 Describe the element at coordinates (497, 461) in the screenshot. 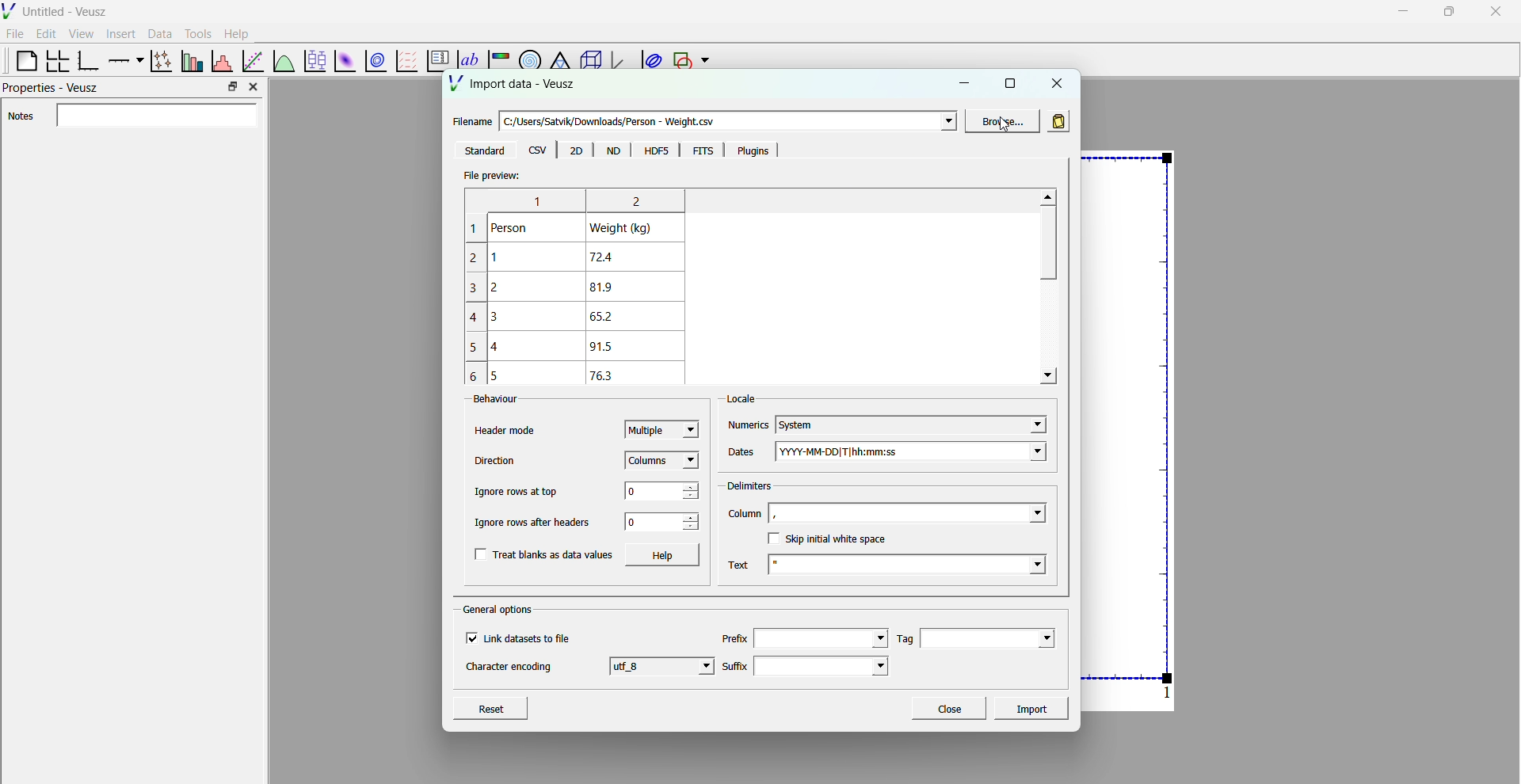

I see `Direction` at that location.